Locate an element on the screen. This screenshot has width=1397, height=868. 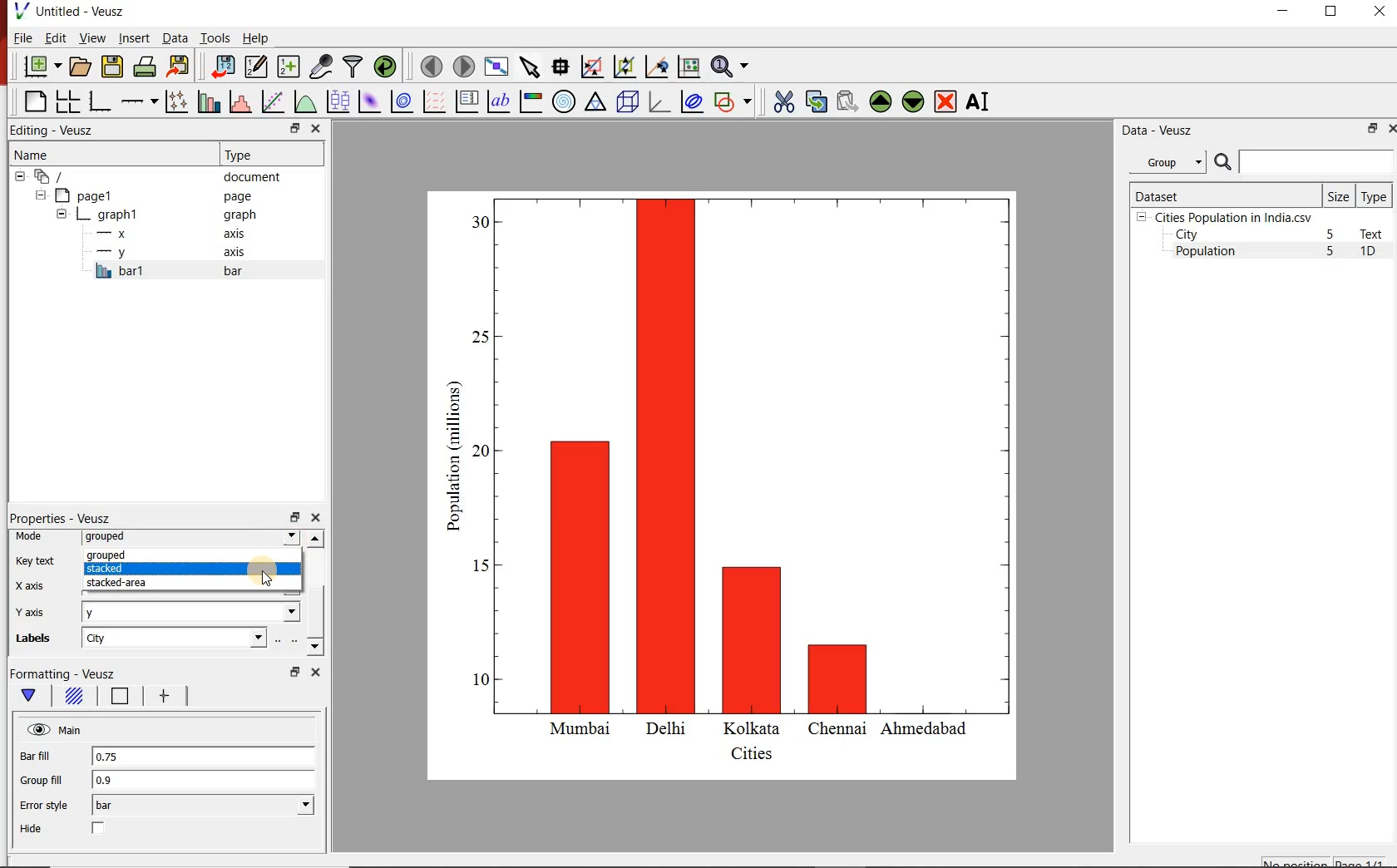
page1 is located at coordinates (149, 195).